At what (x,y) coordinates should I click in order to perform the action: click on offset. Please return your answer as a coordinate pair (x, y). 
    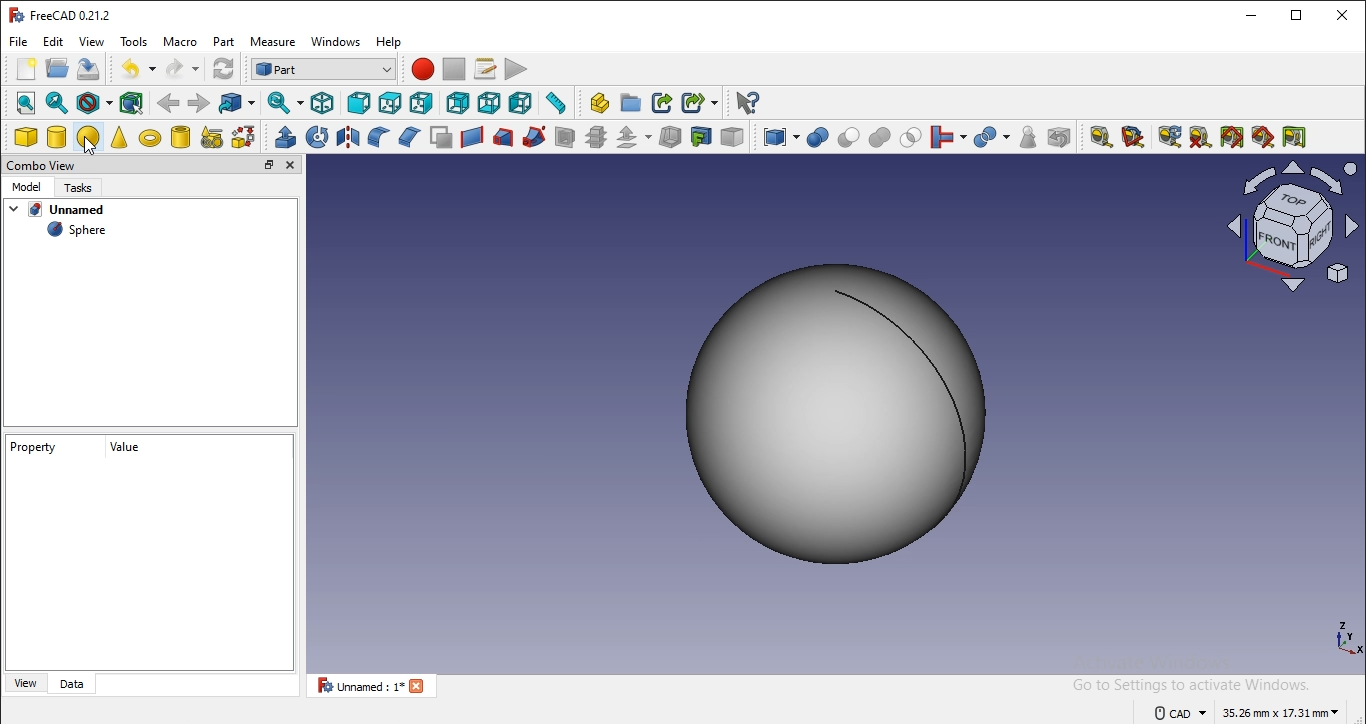
    Looking at the image, I should click on (630, 138).